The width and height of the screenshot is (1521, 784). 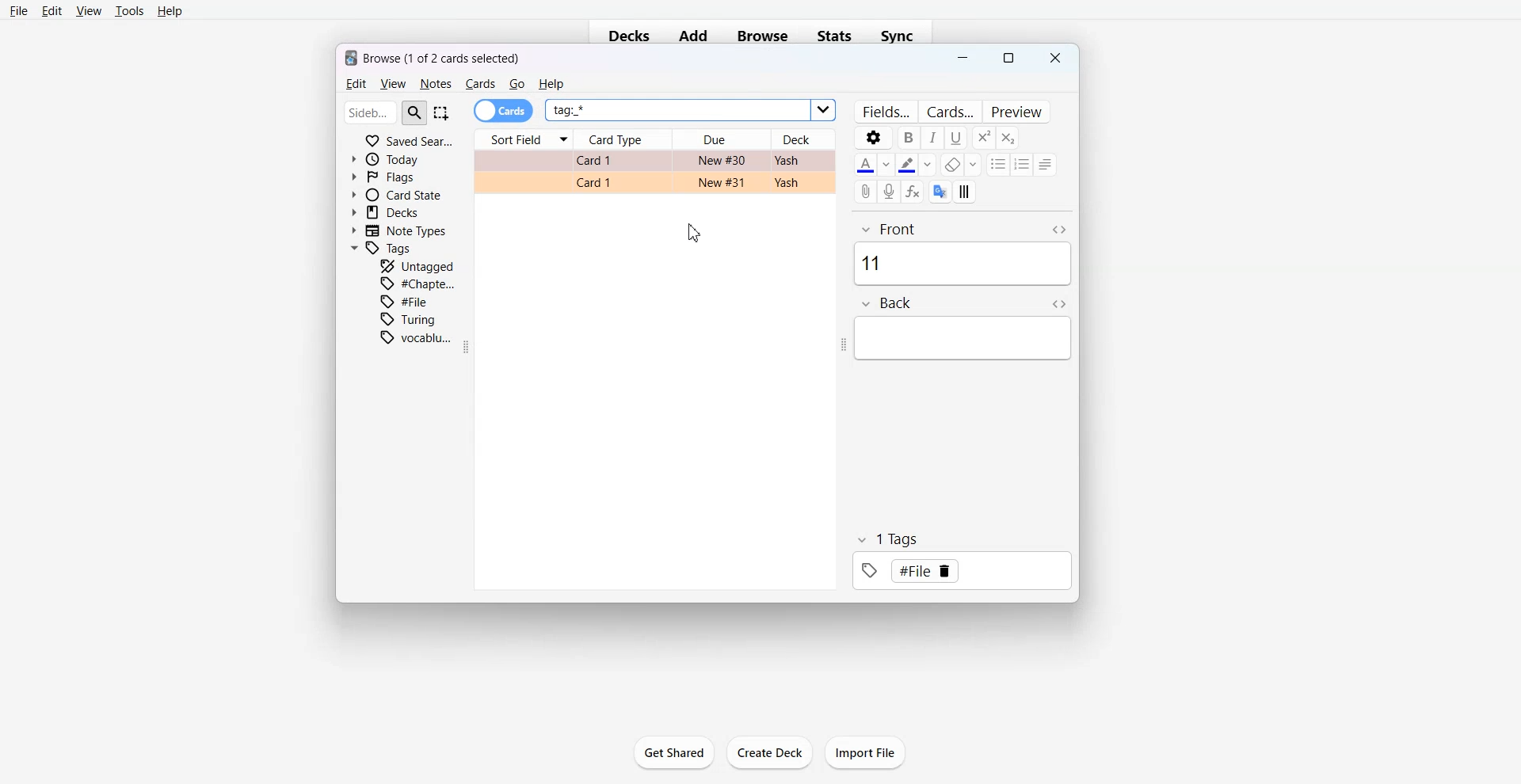 What do you see at coordinates (170, 12) in the screenshot?
I see `Help` at bounding box center [170, 12].